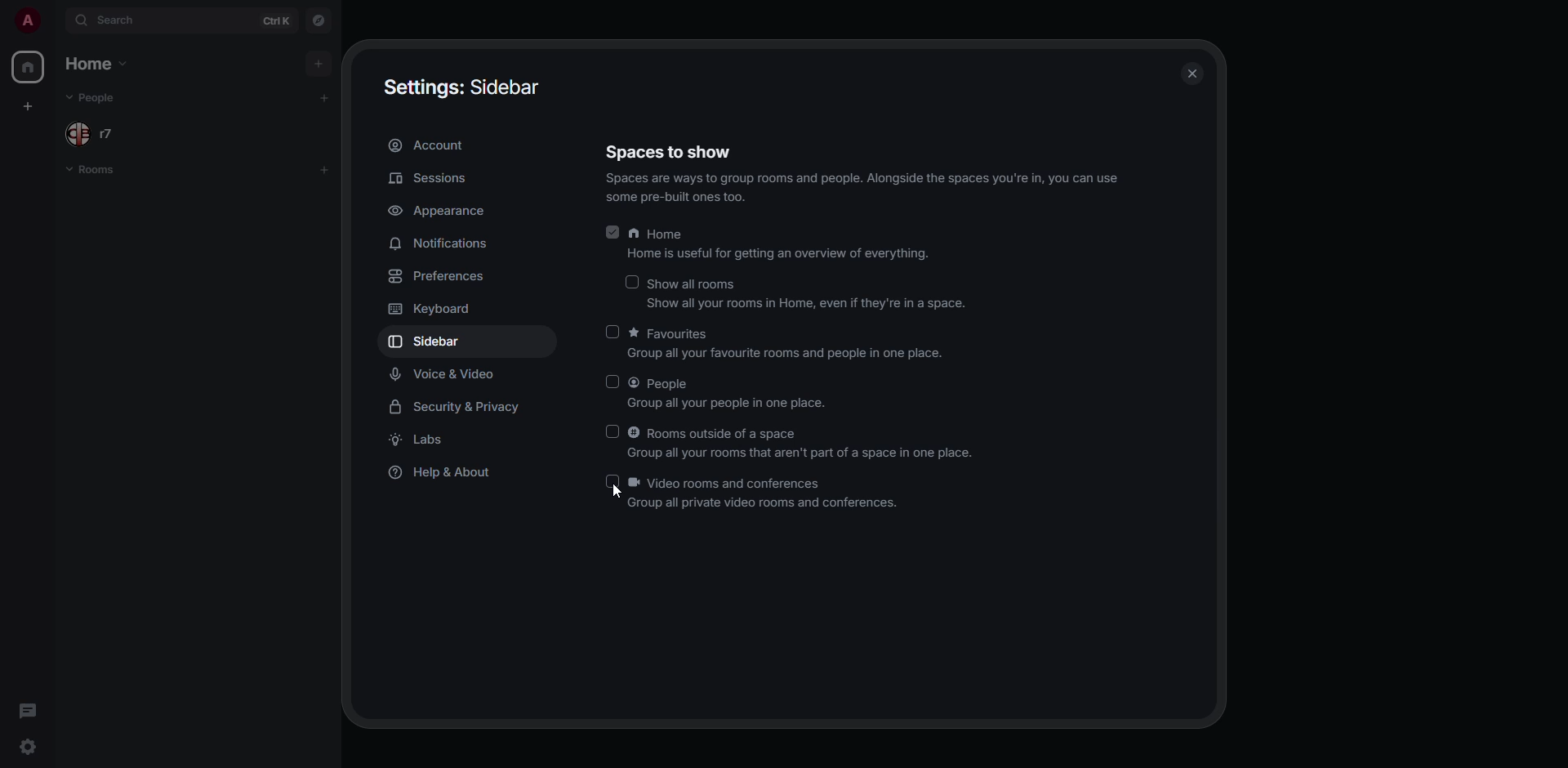  Describe the element at coordinates (27, 708) in the screenshot. I see `threads` at that location.